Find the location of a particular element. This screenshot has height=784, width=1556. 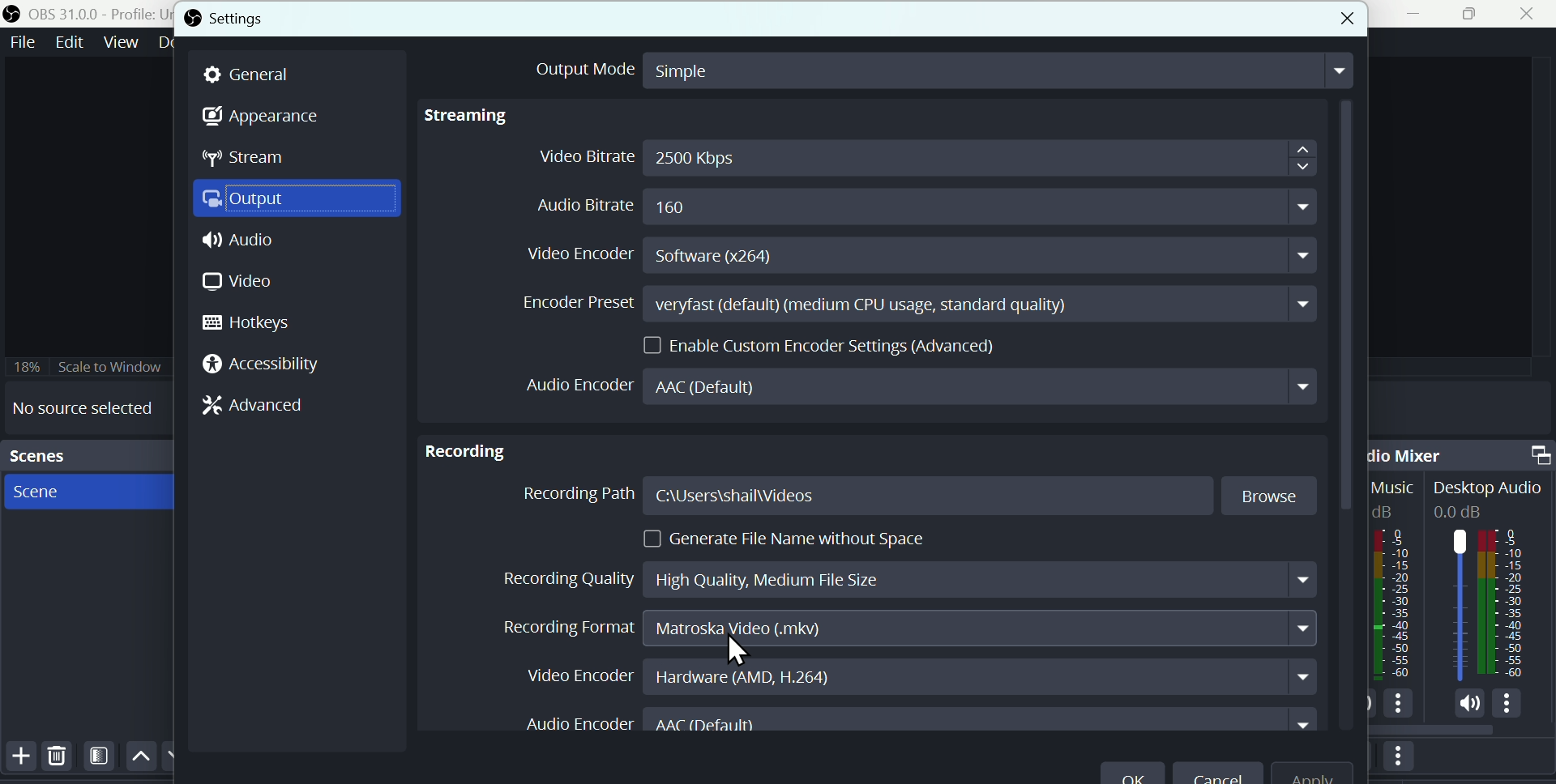

Output is located at coordinates (291, 197).